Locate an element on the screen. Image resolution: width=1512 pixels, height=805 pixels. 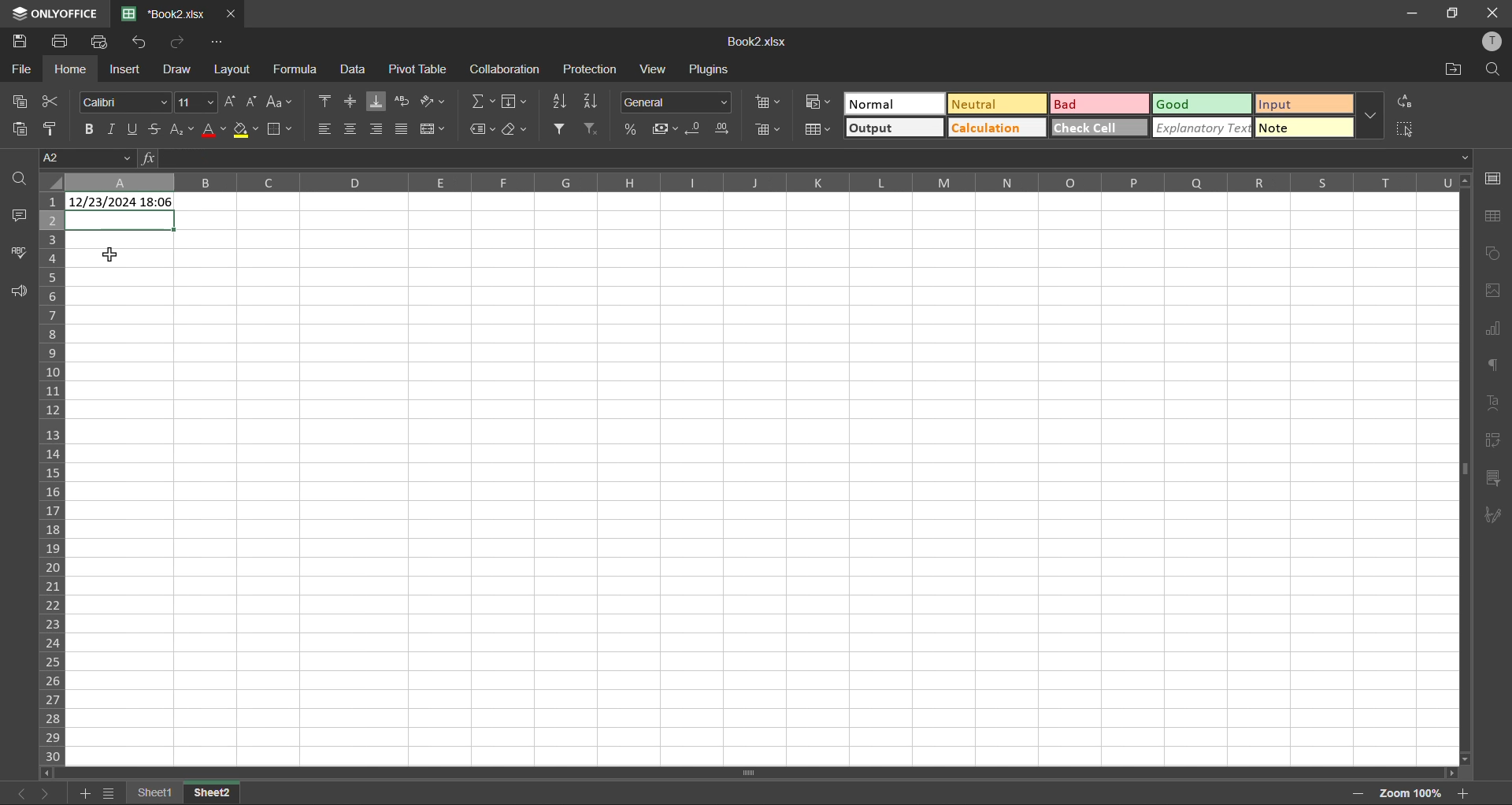
summation is located at coordinates (486, 101).